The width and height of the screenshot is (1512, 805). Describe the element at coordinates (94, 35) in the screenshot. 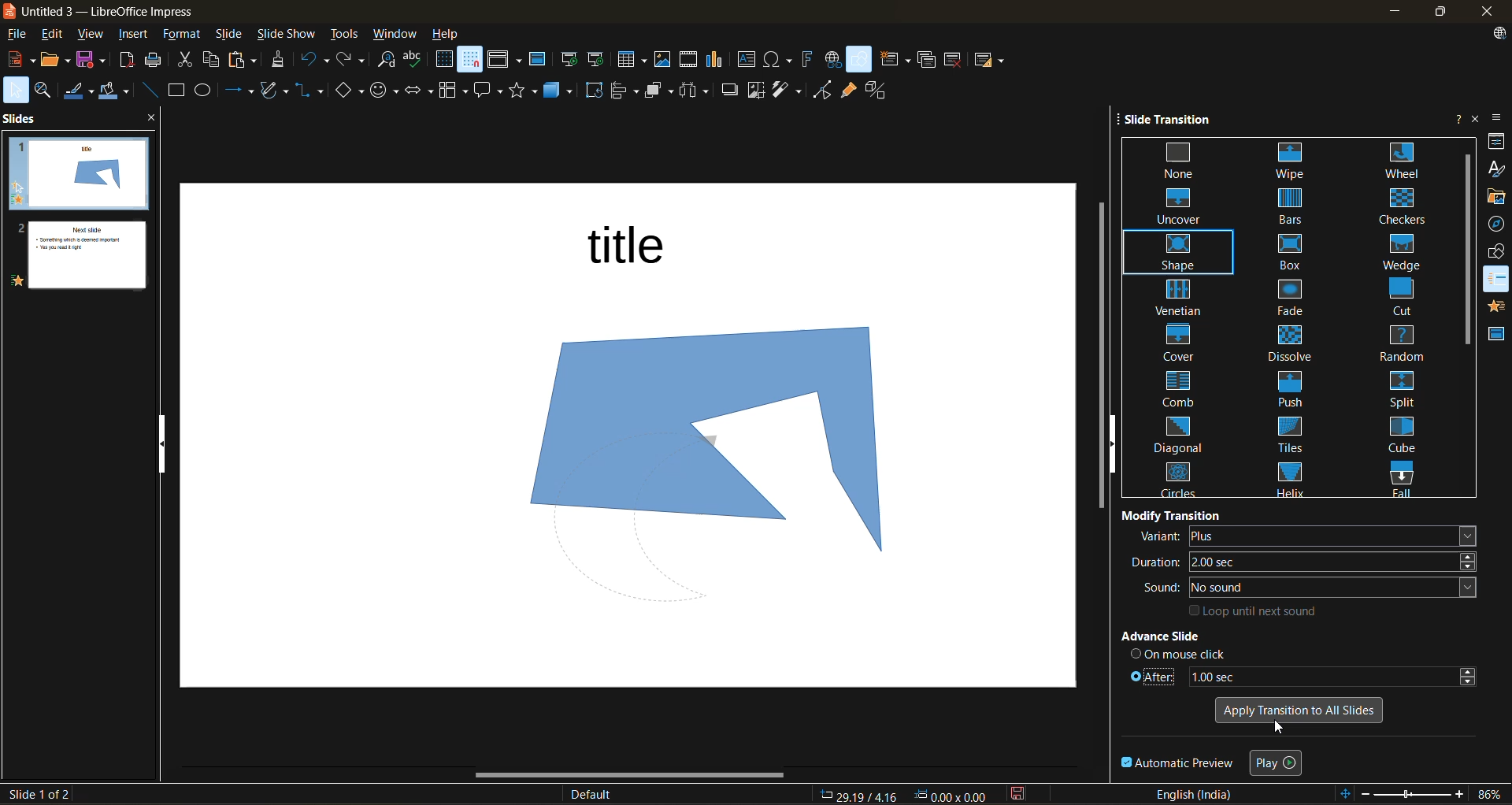

I see `view` at that location.